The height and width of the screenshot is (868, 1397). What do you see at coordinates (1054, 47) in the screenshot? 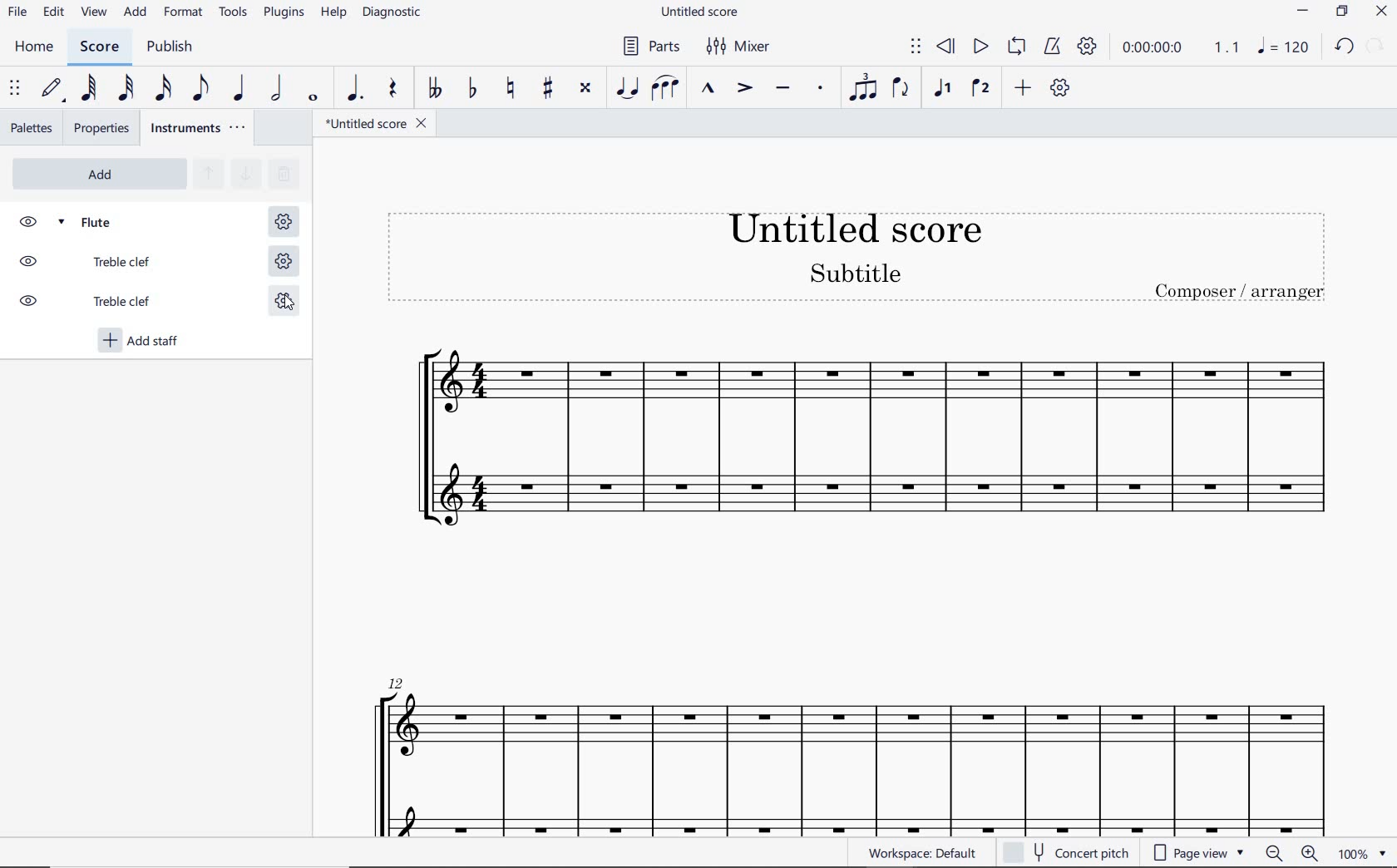
I see `METRONOME` at bounding box center [1054, 47].